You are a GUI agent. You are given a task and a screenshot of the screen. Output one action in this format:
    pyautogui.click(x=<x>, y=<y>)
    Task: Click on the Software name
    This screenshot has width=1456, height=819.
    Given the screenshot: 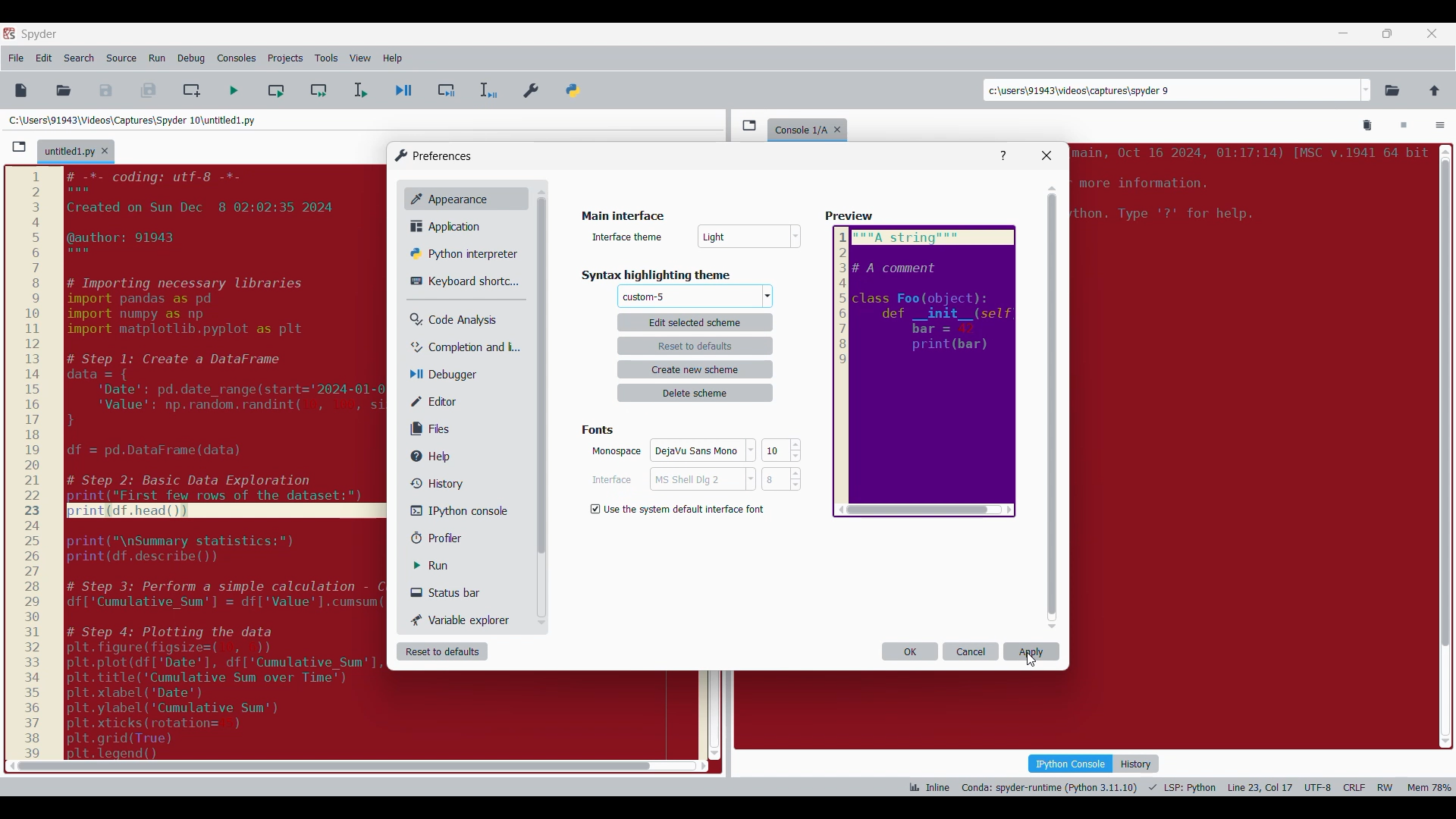 What is the action you would take?
    pyautogui.click(x=39, y=34)
    